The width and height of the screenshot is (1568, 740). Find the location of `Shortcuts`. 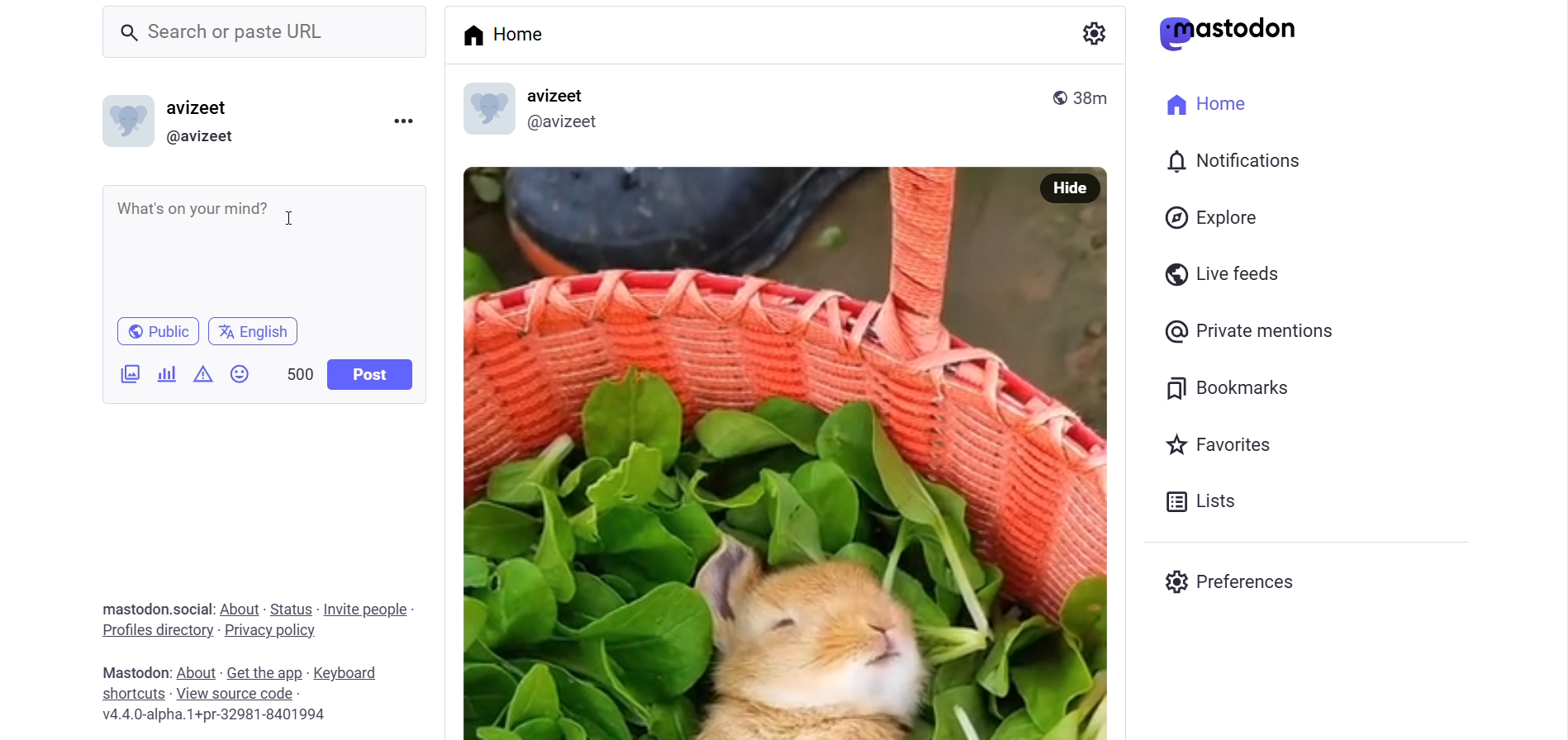

Shortcuts is located at coordinates (132, 692).